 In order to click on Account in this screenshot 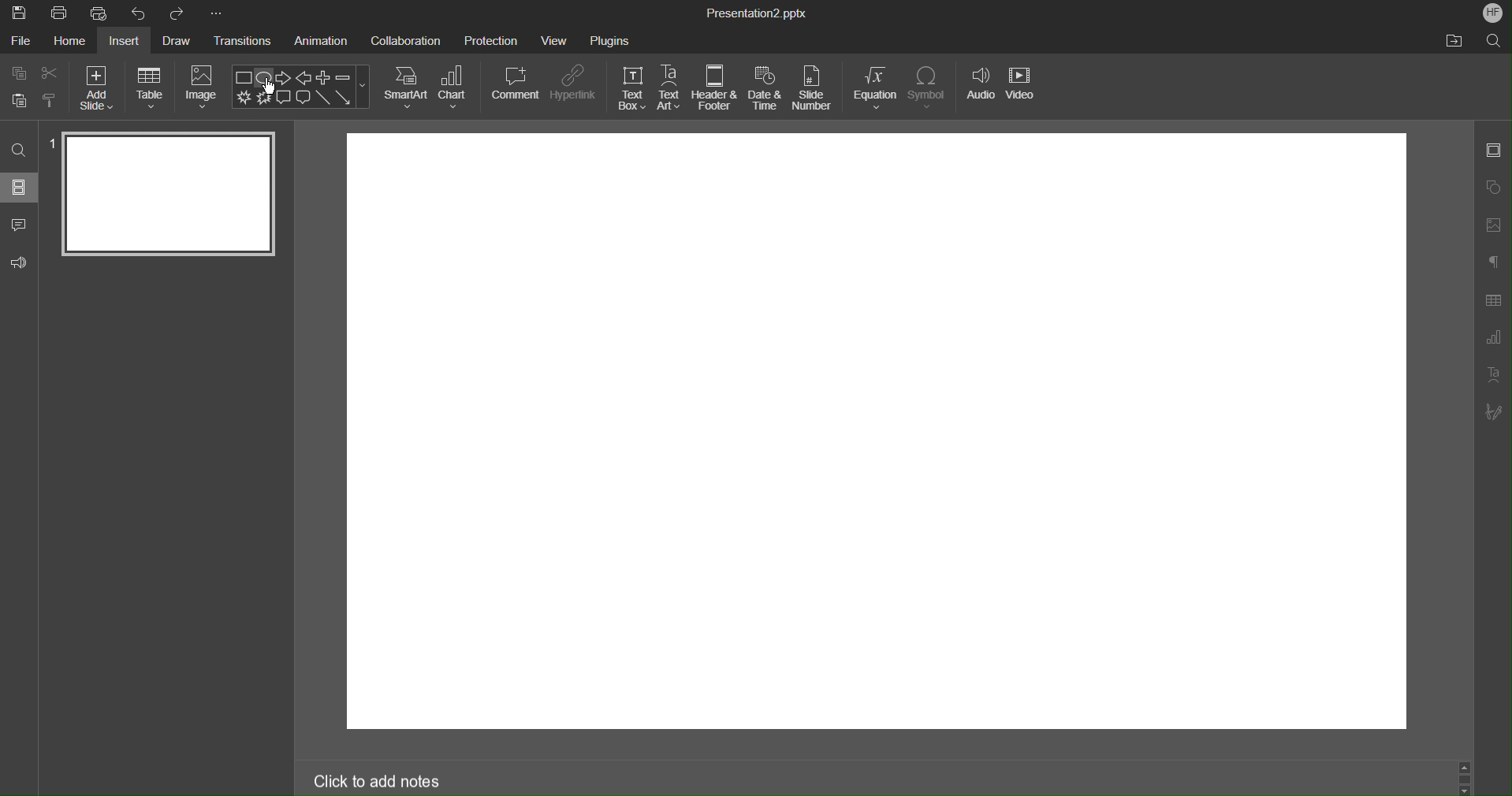, I will do `click(1490, 12)`.